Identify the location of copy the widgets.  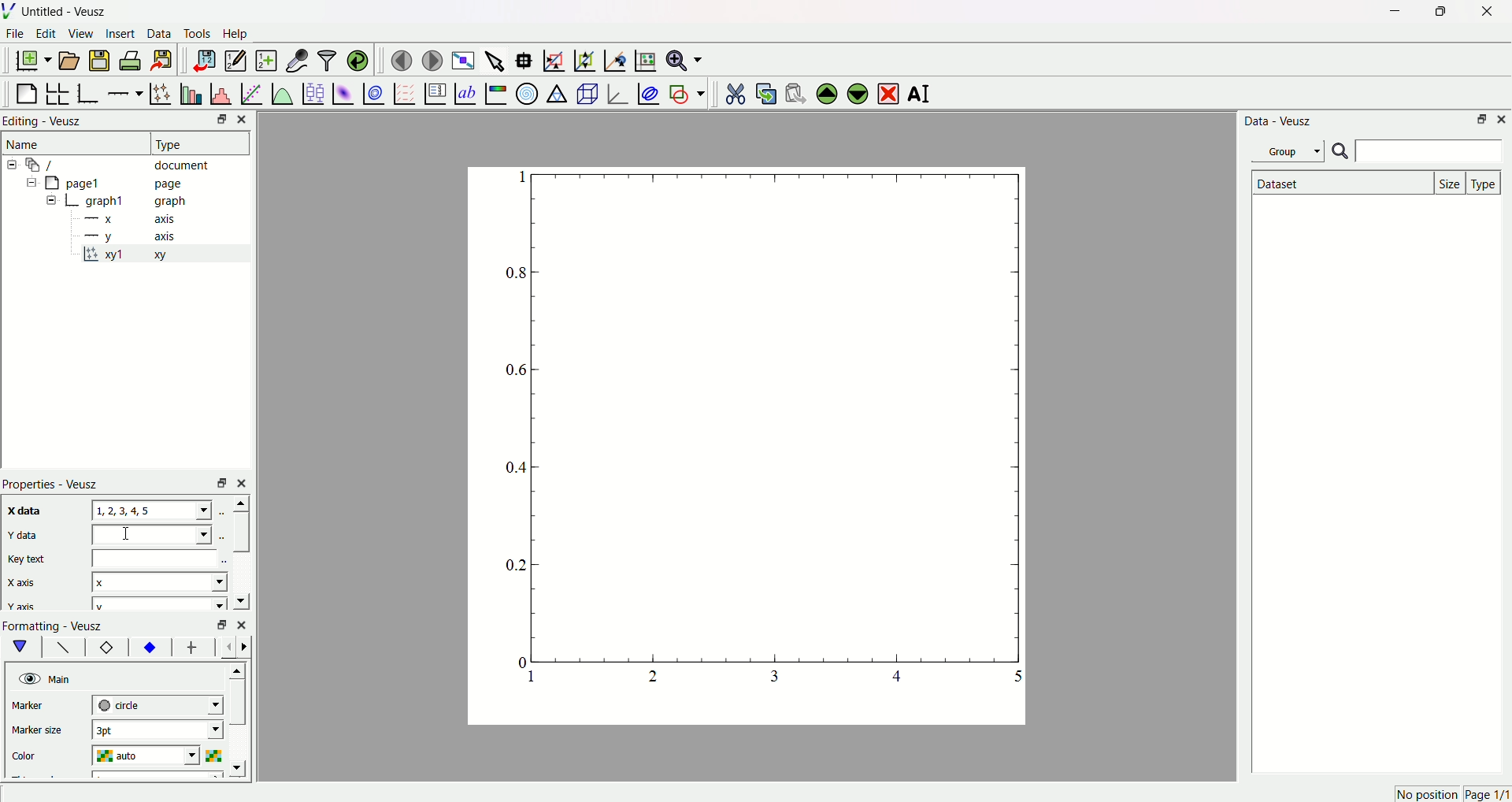
(765, 91).